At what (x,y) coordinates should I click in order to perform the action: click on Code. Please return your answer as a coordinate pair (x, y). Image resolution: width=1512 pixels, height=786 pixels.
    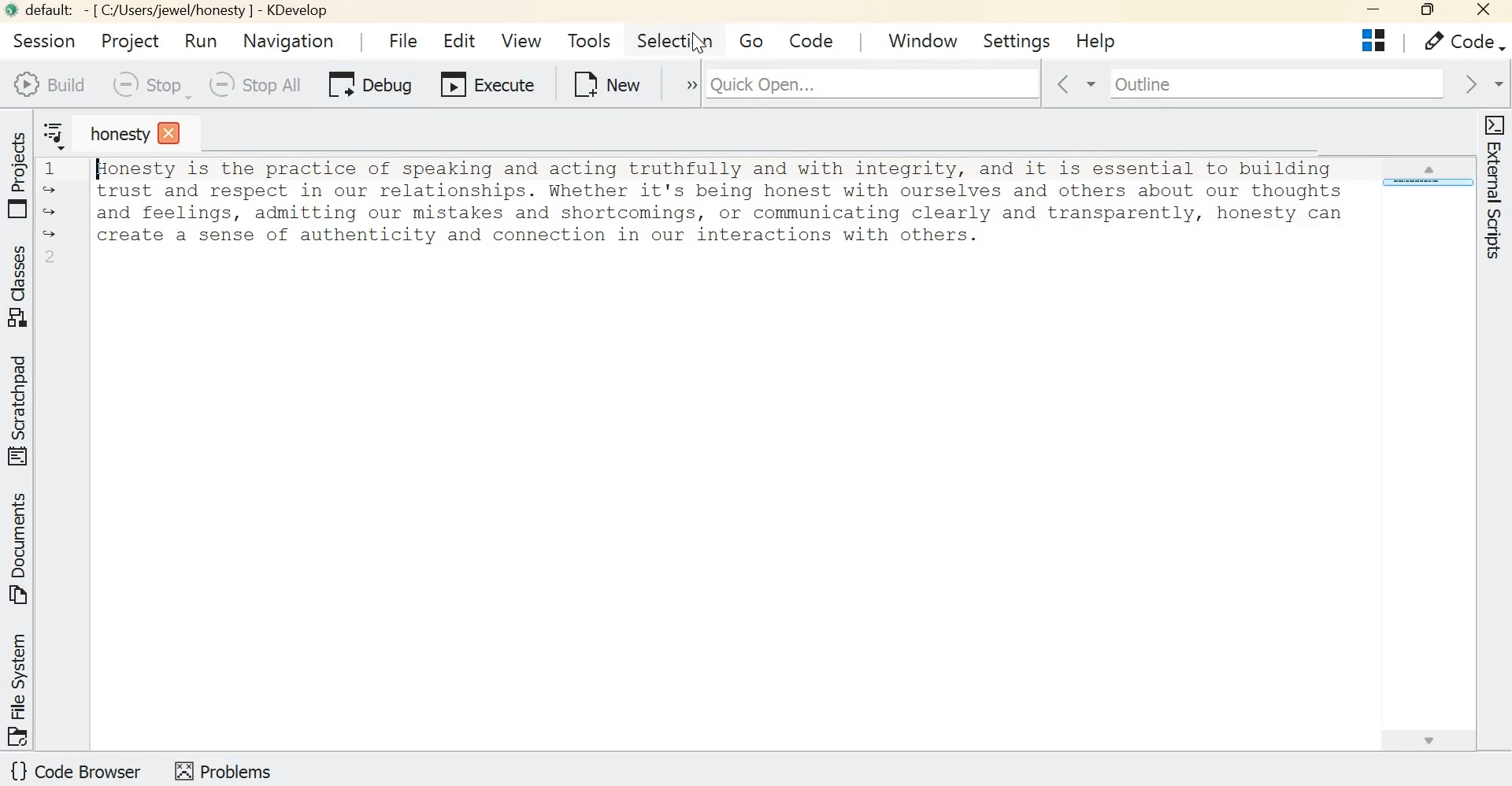
    Looking at the image, I should click on (815, 39).